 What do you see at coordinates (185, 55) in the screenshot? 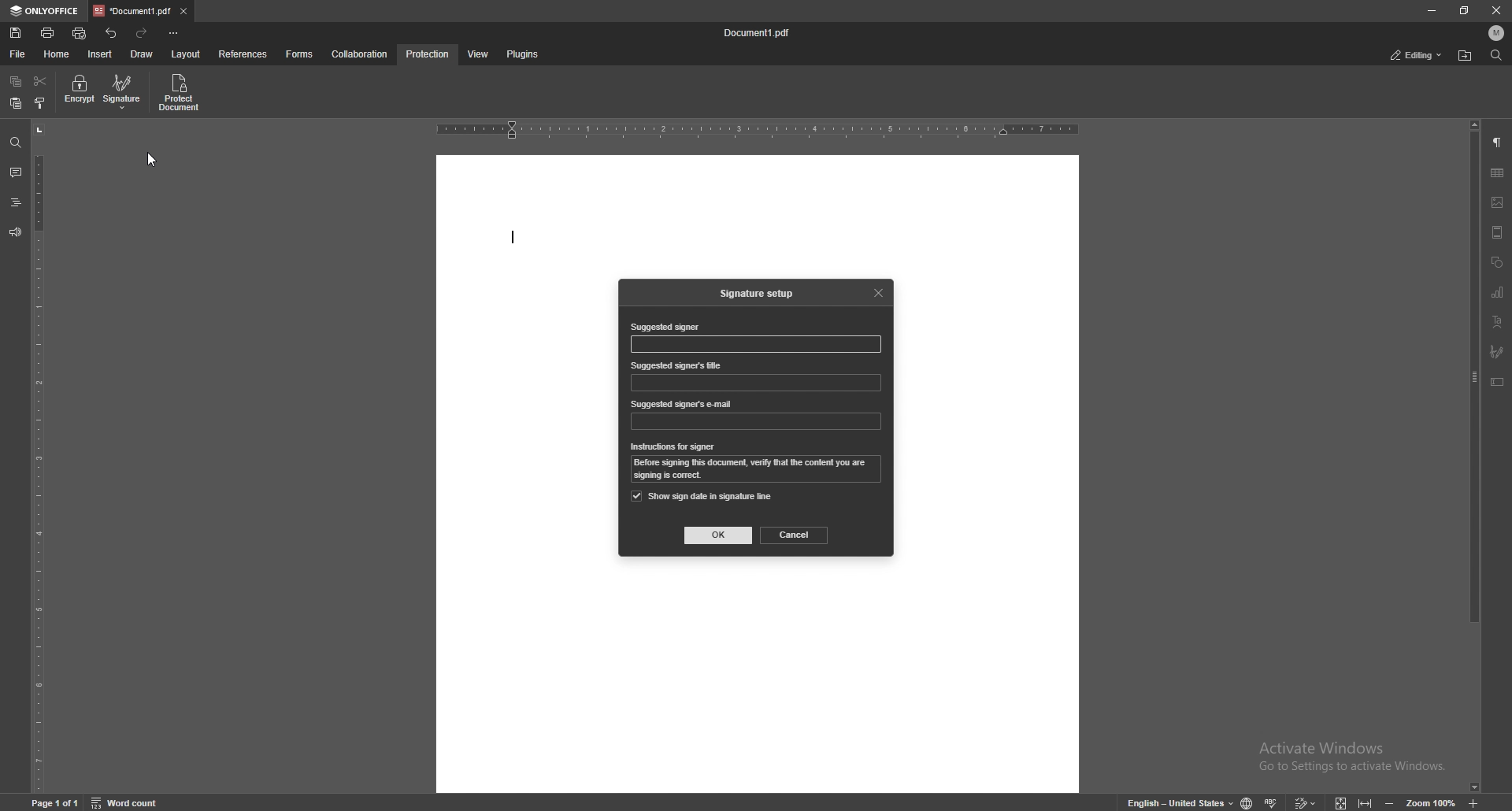
I see `layout` at bounding box center [185, 55].